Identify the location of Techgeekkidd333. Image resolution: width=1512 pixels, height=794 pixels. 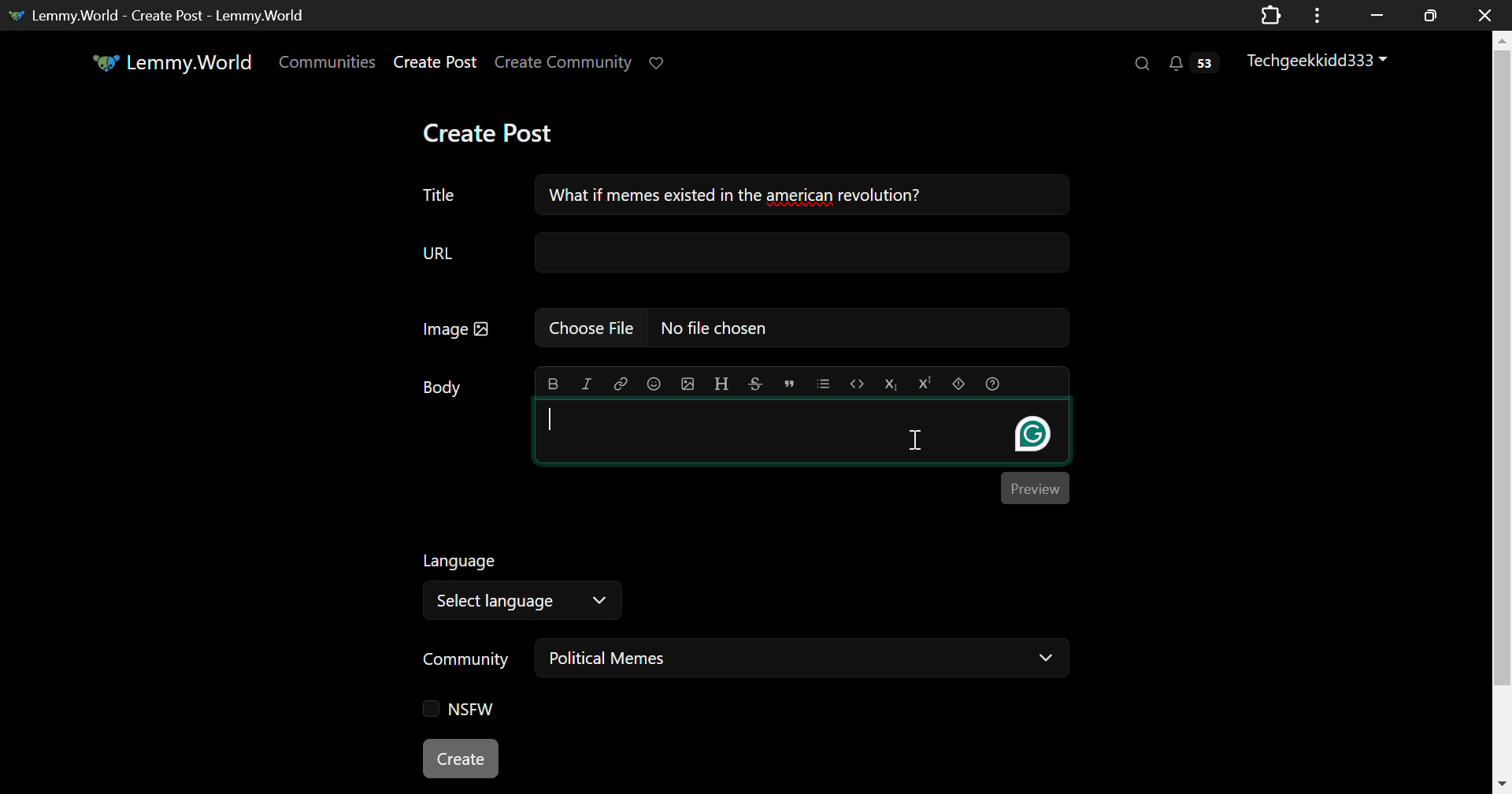
(1317, 61).